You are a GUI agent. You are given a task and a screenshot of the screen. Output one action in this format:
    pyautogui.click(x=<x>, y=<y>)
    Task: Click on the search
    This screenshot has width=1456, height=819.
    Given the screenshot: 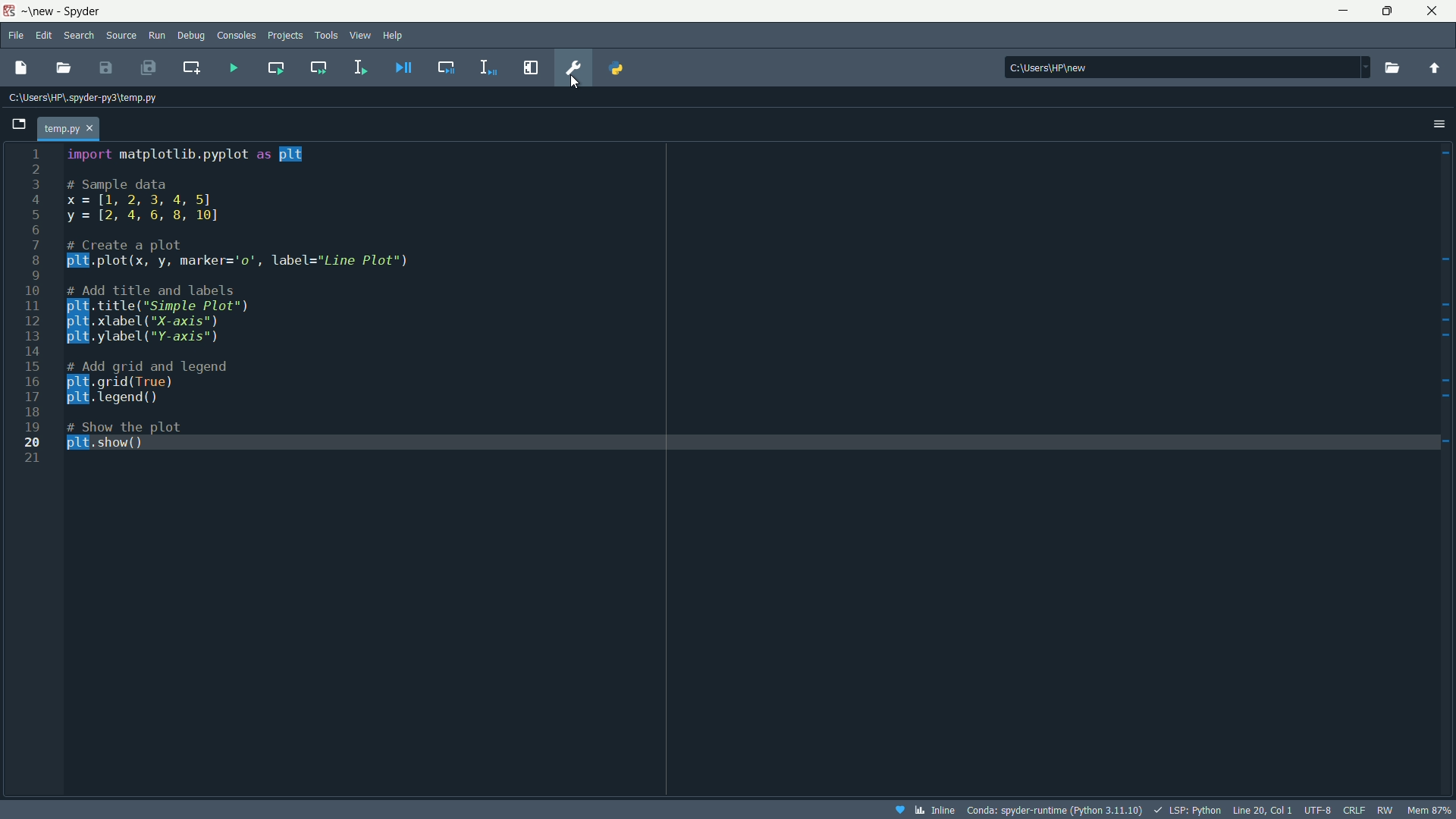 What is the action you would take?
    pyautogui.click(x=79, y=36)
    